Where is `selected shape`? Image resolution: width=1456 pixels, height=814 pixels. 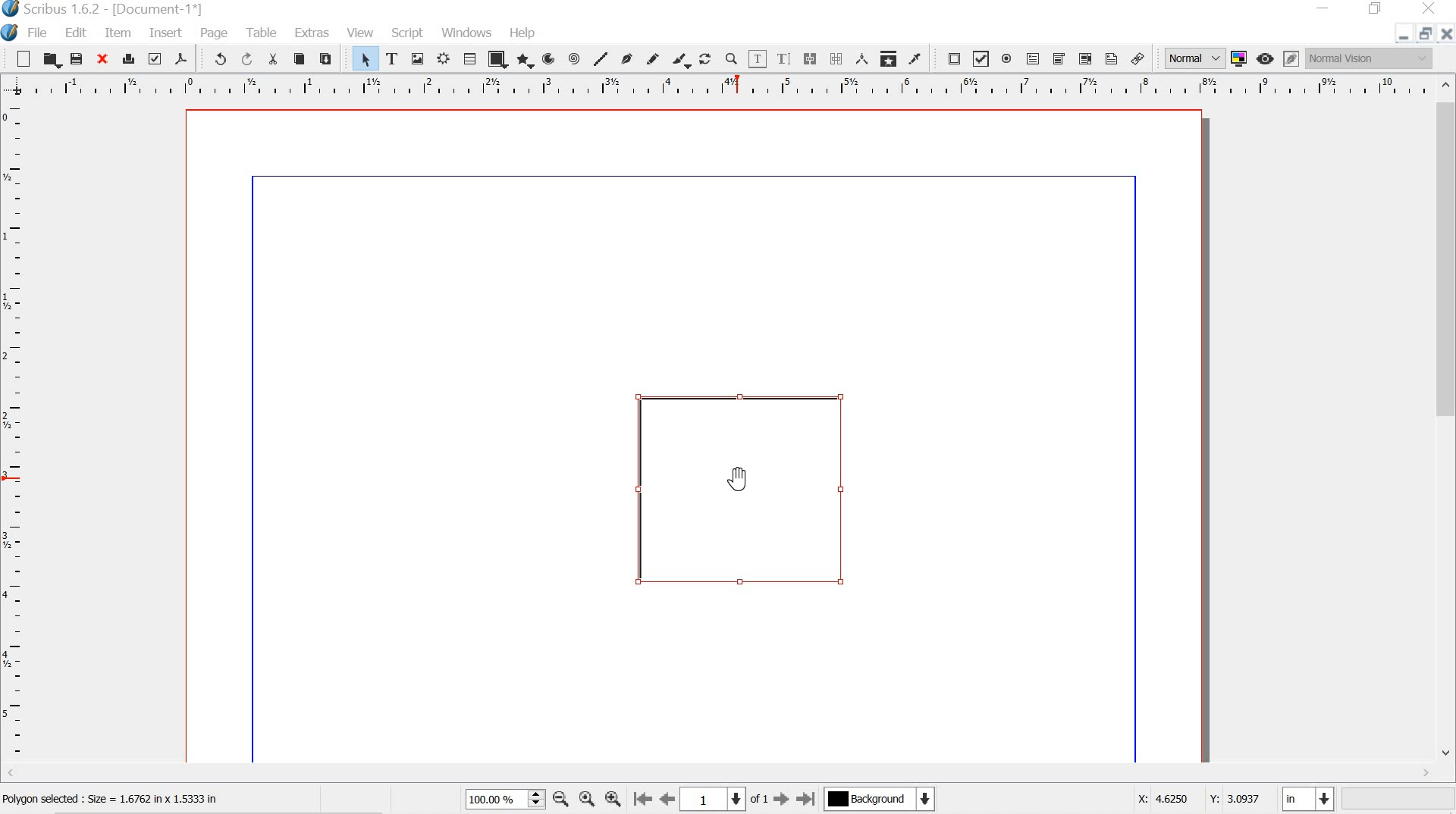 selected shape is located at coordinates (745, 487).